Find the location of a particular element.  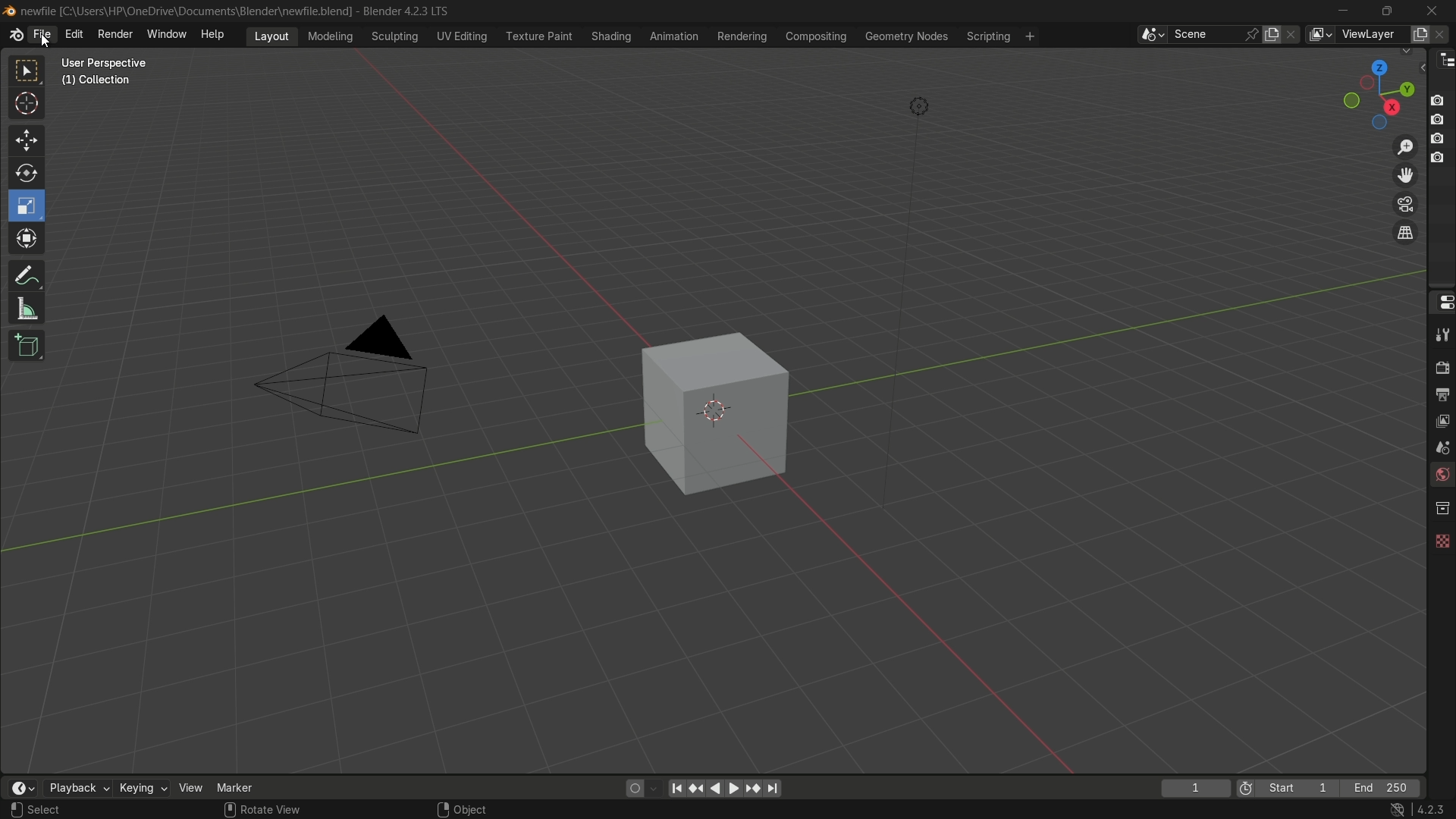

switch current view layer is located at coordinates (1405, 234).